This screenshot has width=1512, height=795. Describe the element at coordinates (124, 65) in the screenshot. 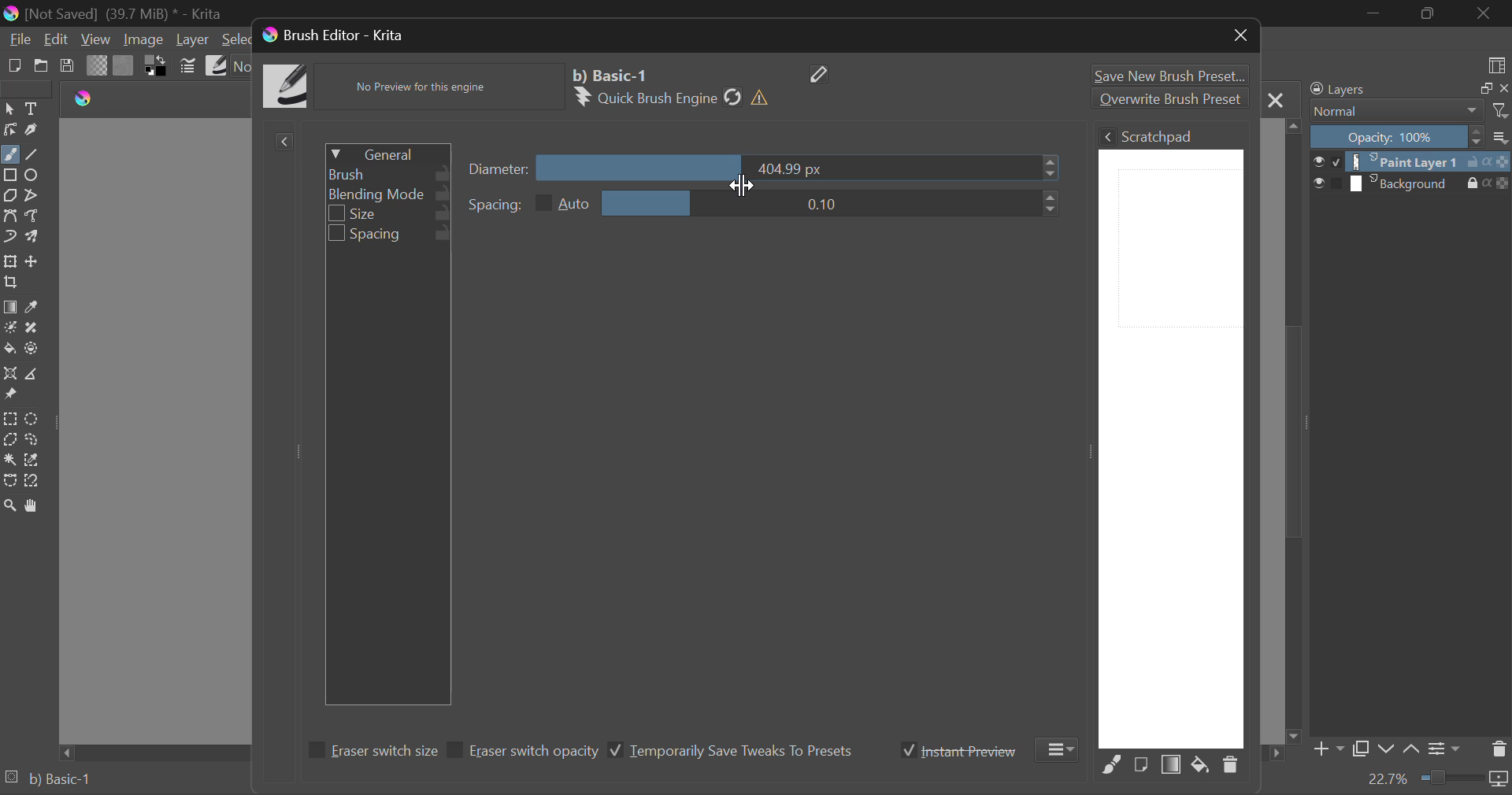

I see `Pattern` at that location.